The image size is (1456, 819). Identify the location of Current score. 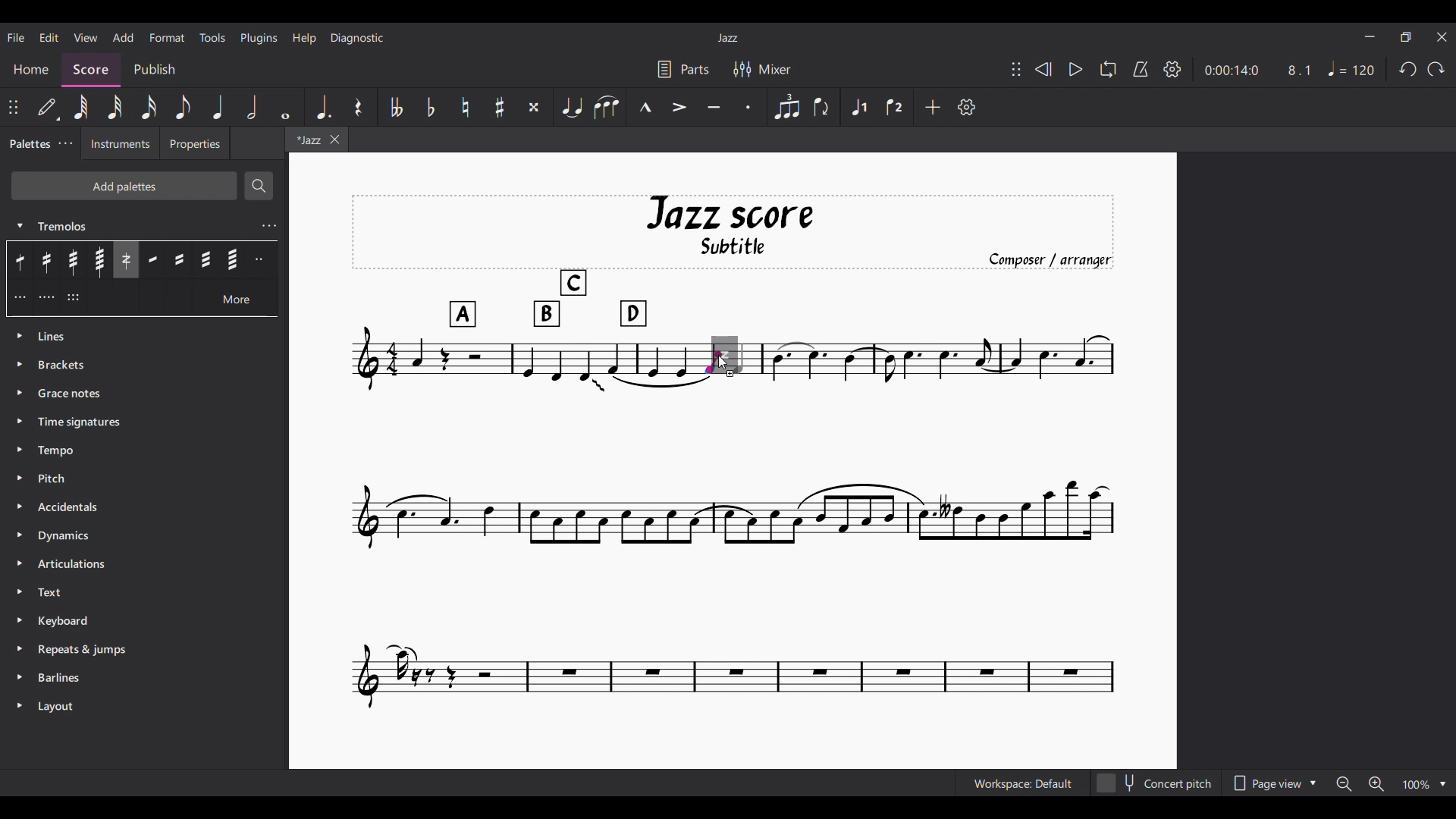
(526, 357).